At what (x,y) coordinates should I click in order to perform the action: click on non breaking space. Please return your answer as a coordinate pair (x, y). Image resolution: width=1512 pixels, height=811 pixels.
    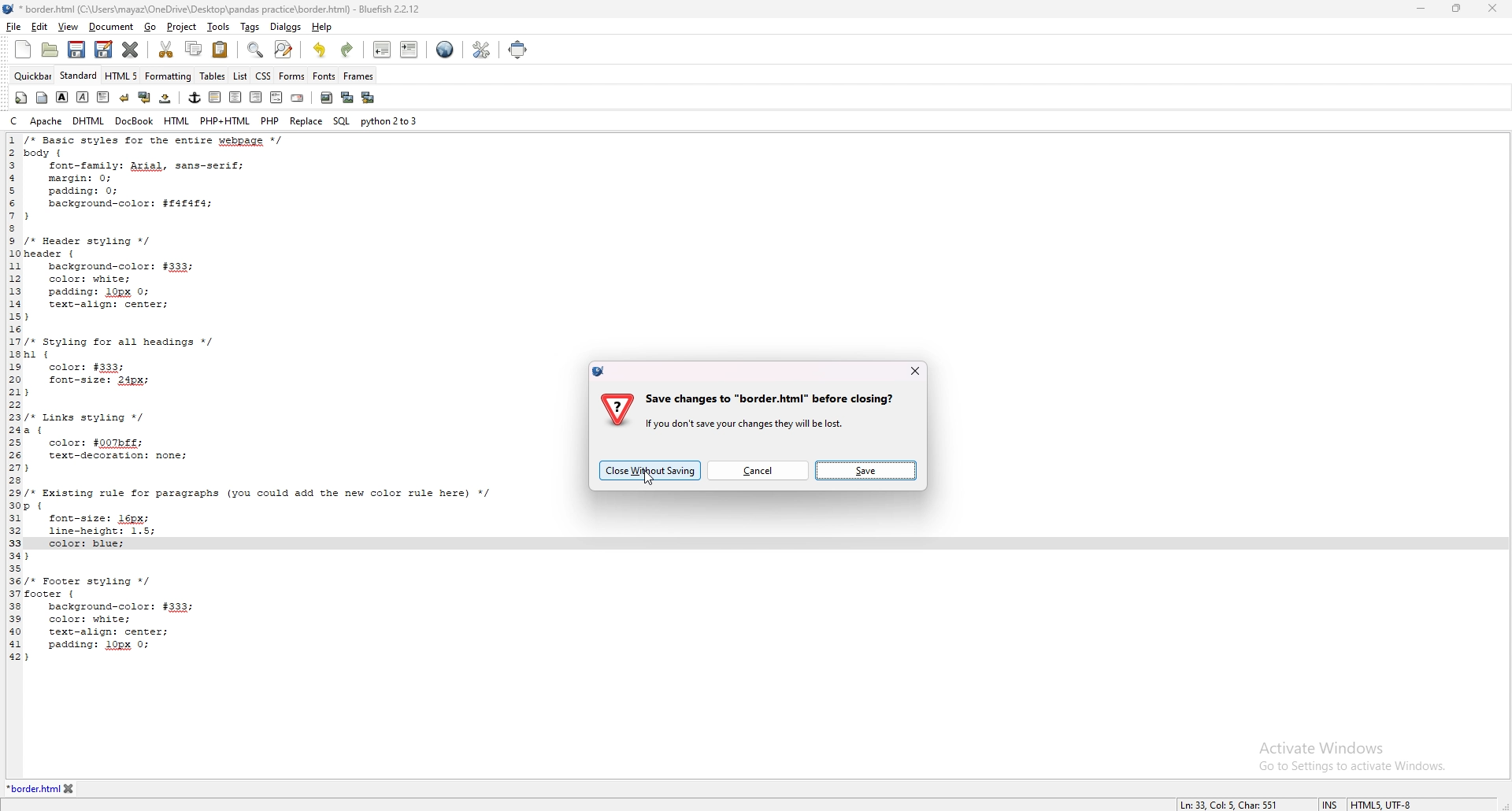
    Looking at the image, I should click on (165, 98).